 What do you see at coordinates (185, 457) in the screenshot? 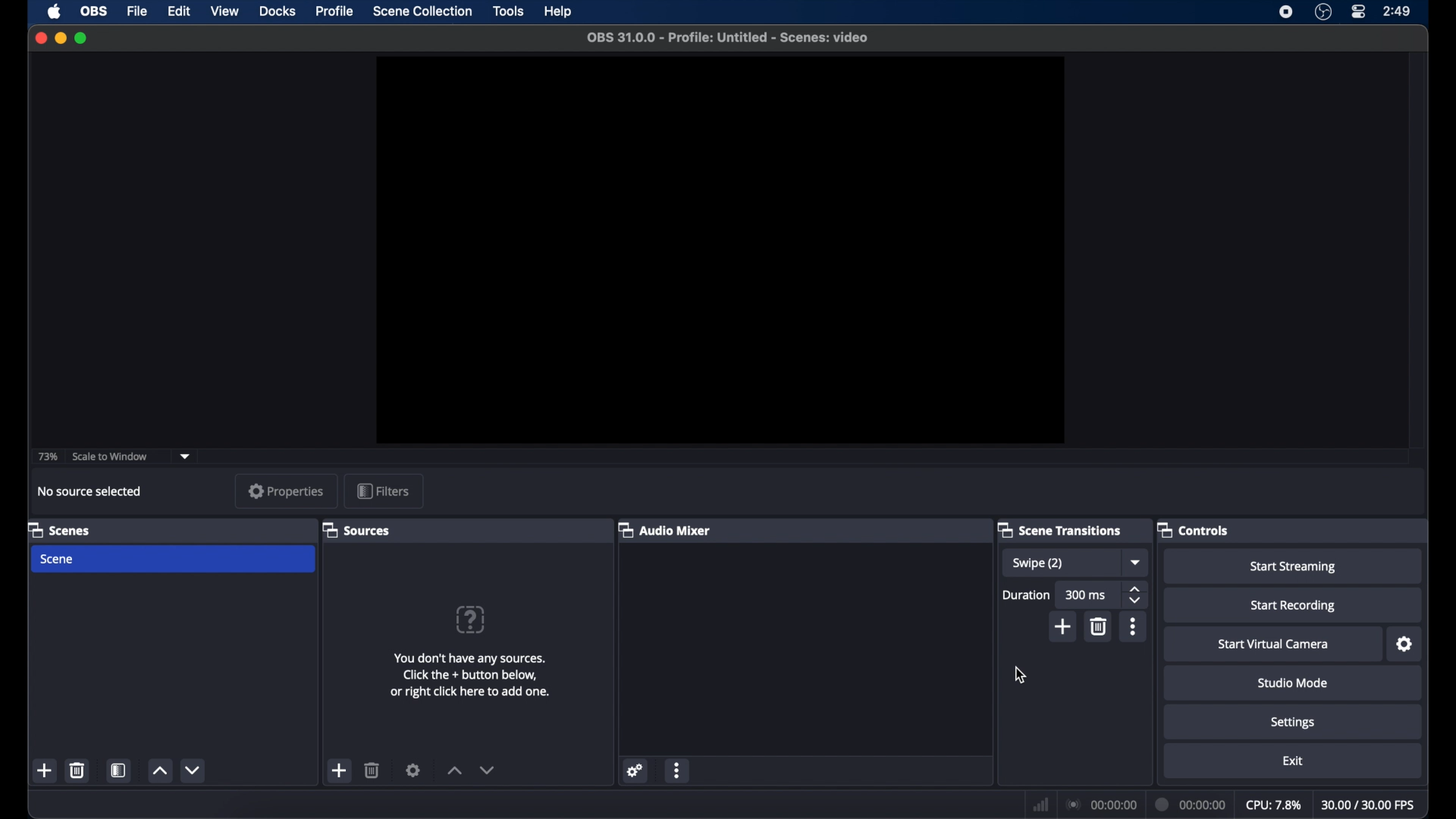
I see `dropdown` at bounding box center [185, 457].